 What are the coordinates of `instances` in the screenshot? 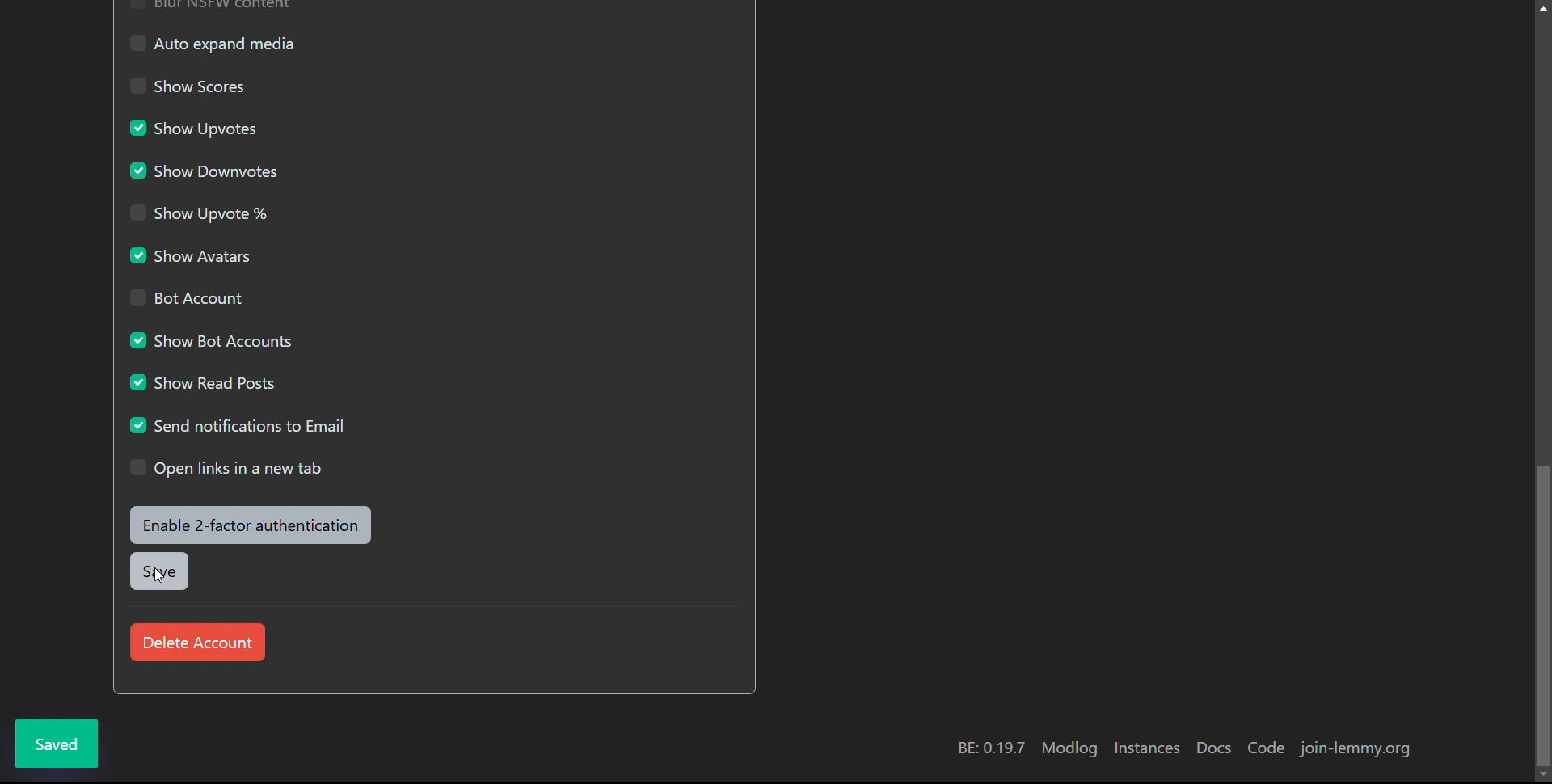 It's located at (1145, 747).